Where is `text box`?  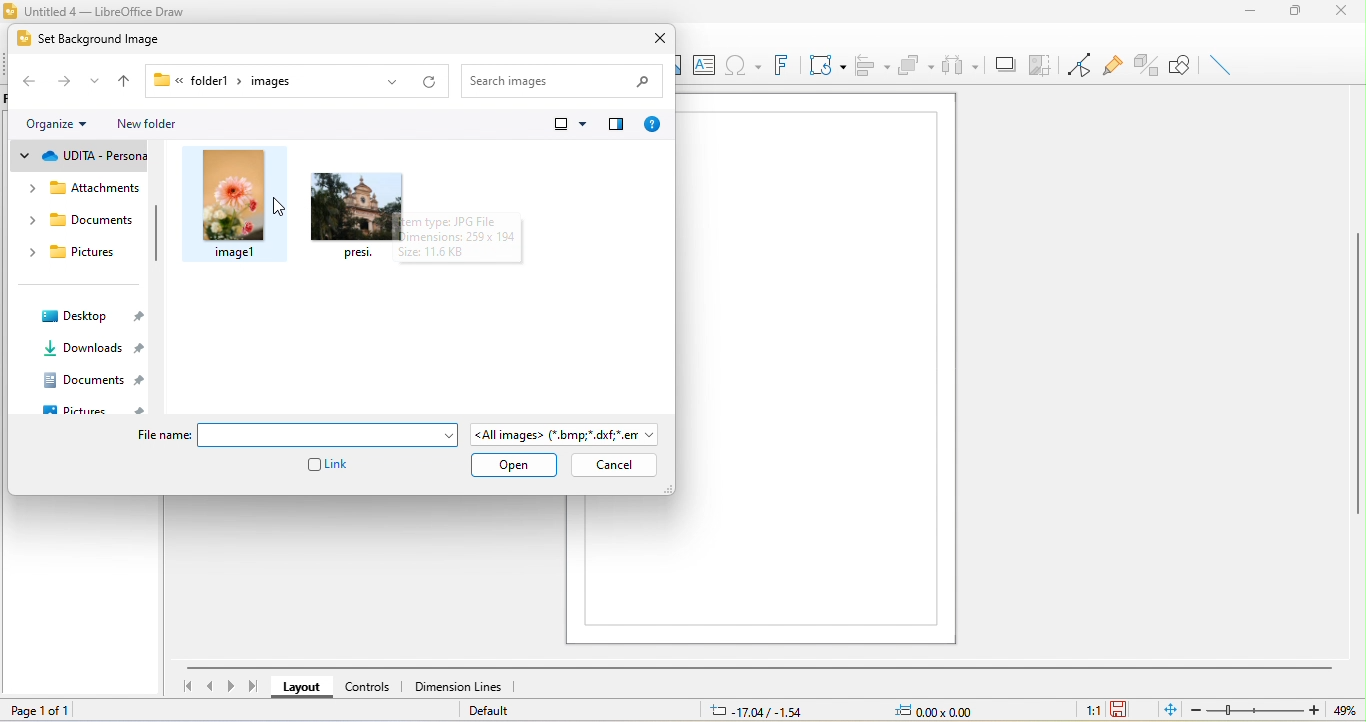
text box is located at coordinates (707, 67).